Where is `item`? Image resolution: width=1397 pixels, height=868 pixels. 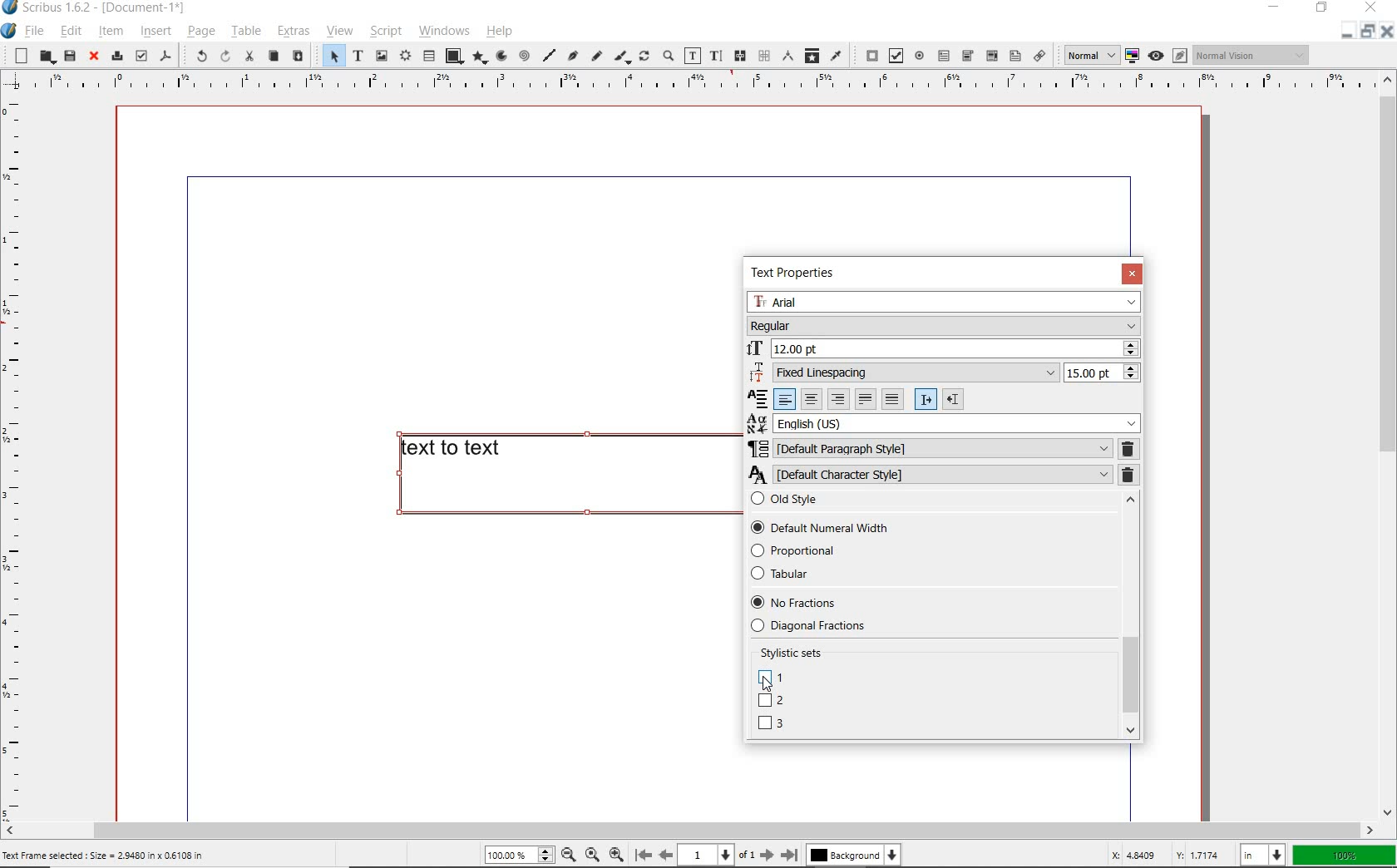
item is located at coordinates (111, 31).